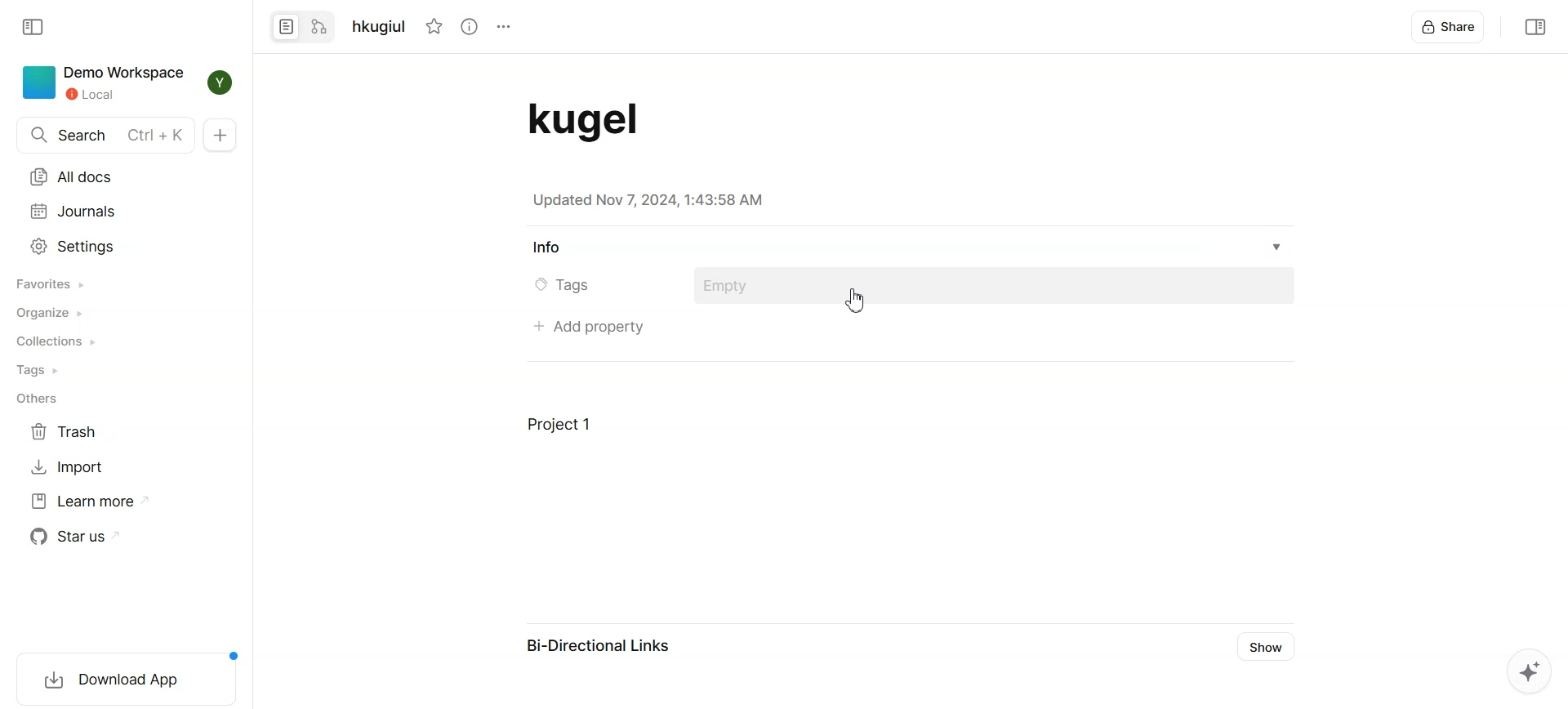 This screenshot has width=1568, height=709. I want to click on Info, so click(543, 247).